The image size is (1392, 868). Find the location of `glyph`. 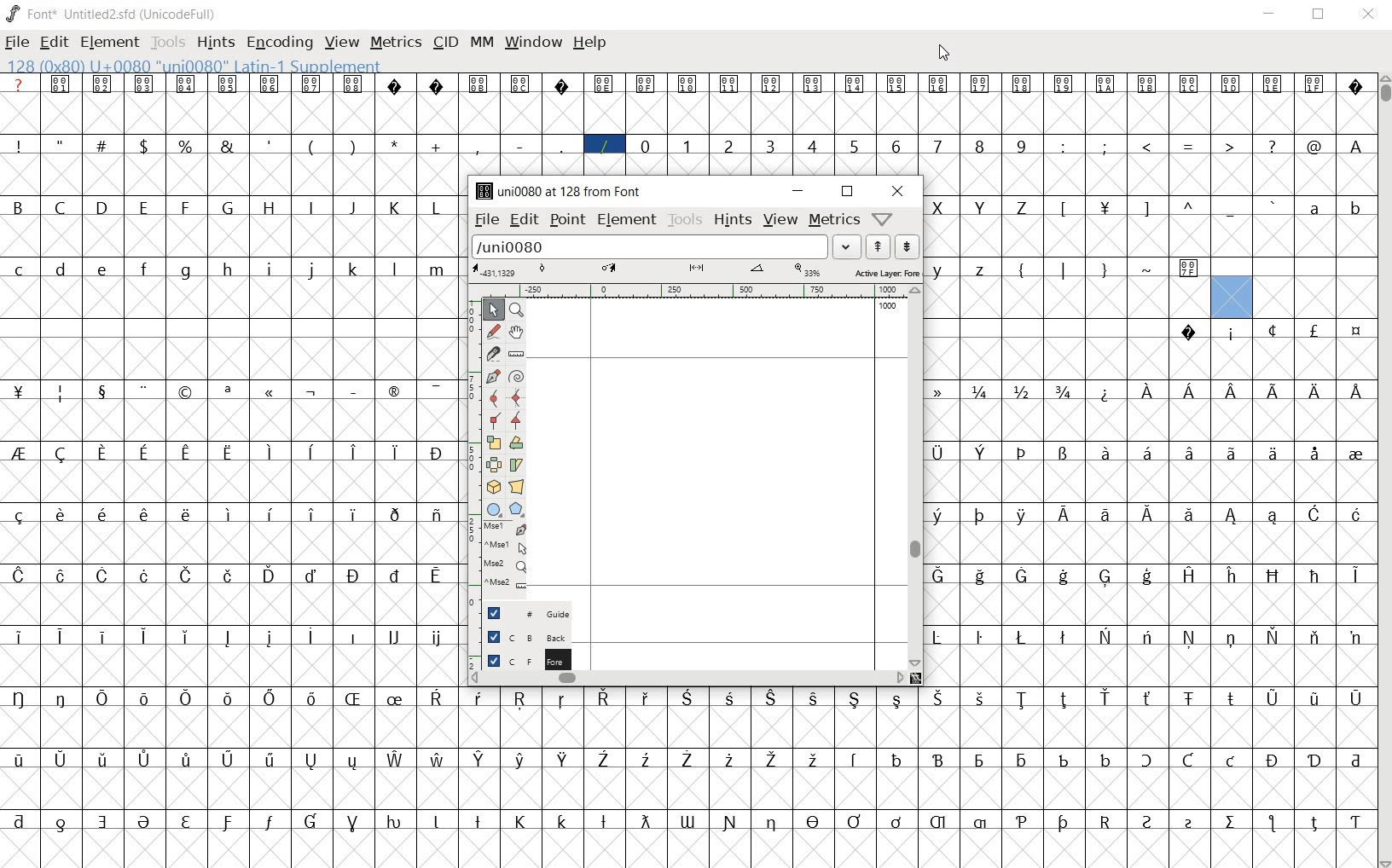

glyph is located at coordinates (1189, 637).